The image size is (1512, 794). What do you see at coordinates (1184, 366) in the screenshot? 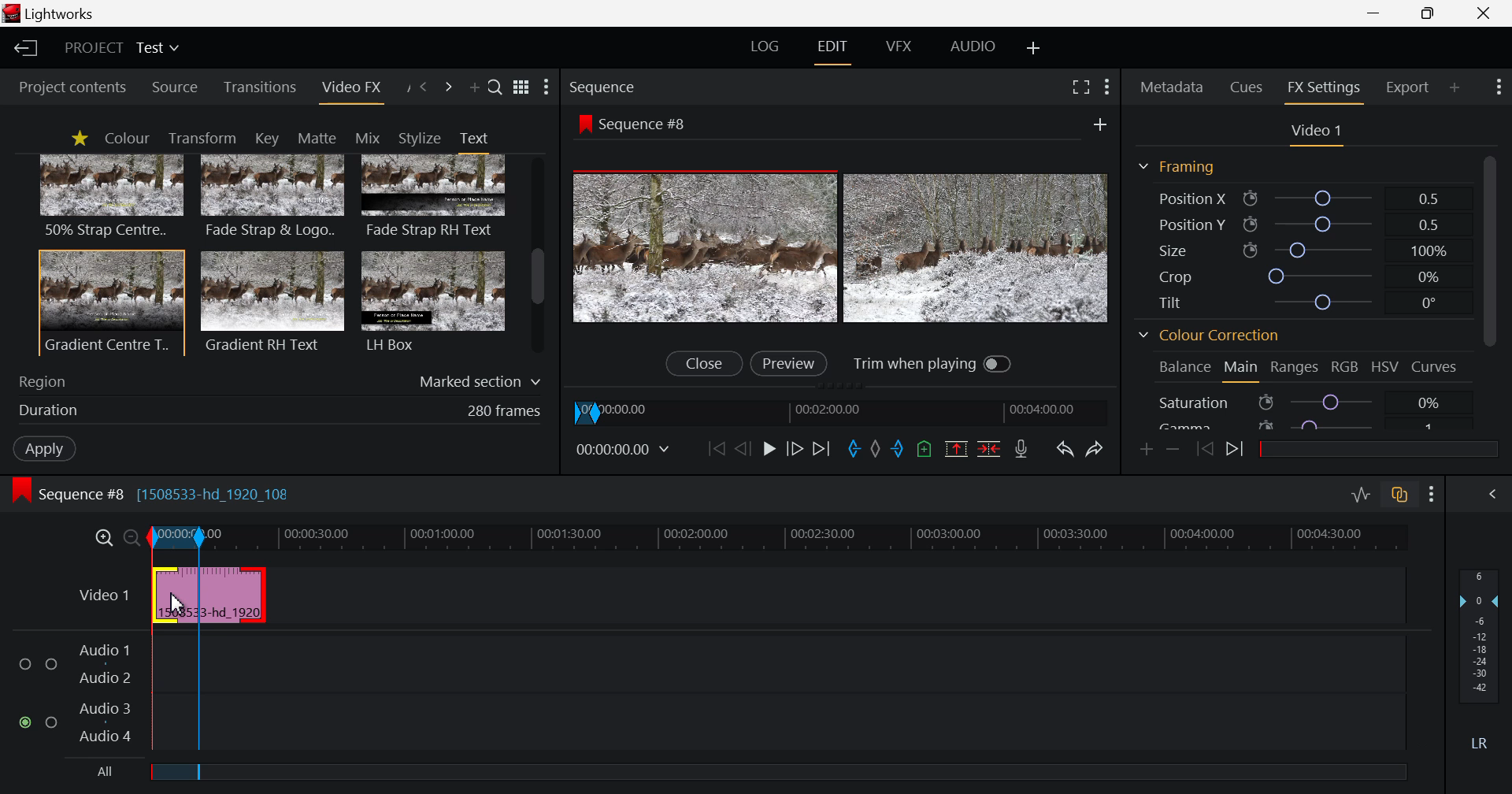
I see `Balance` at bounding box center [1184, 366].